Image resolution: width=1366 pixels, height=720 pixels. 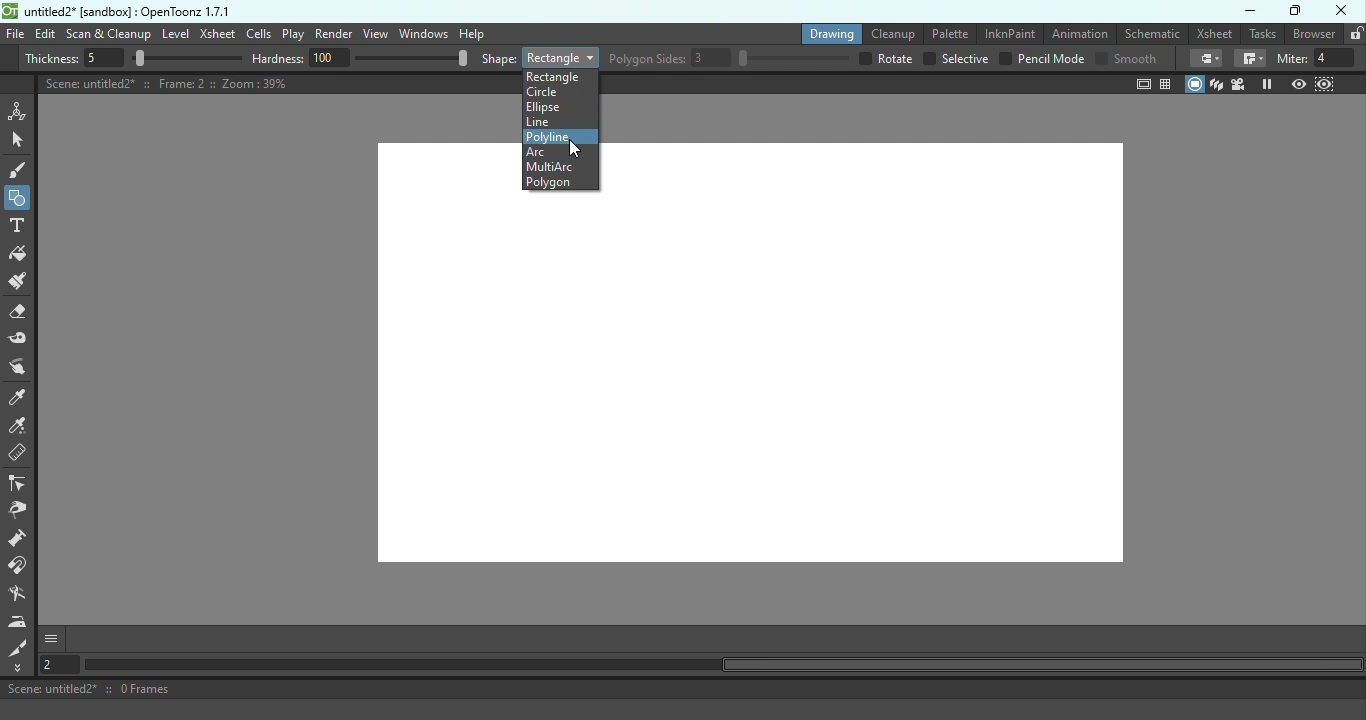 I want to click on Minimize, so click(x=1251, y=11).